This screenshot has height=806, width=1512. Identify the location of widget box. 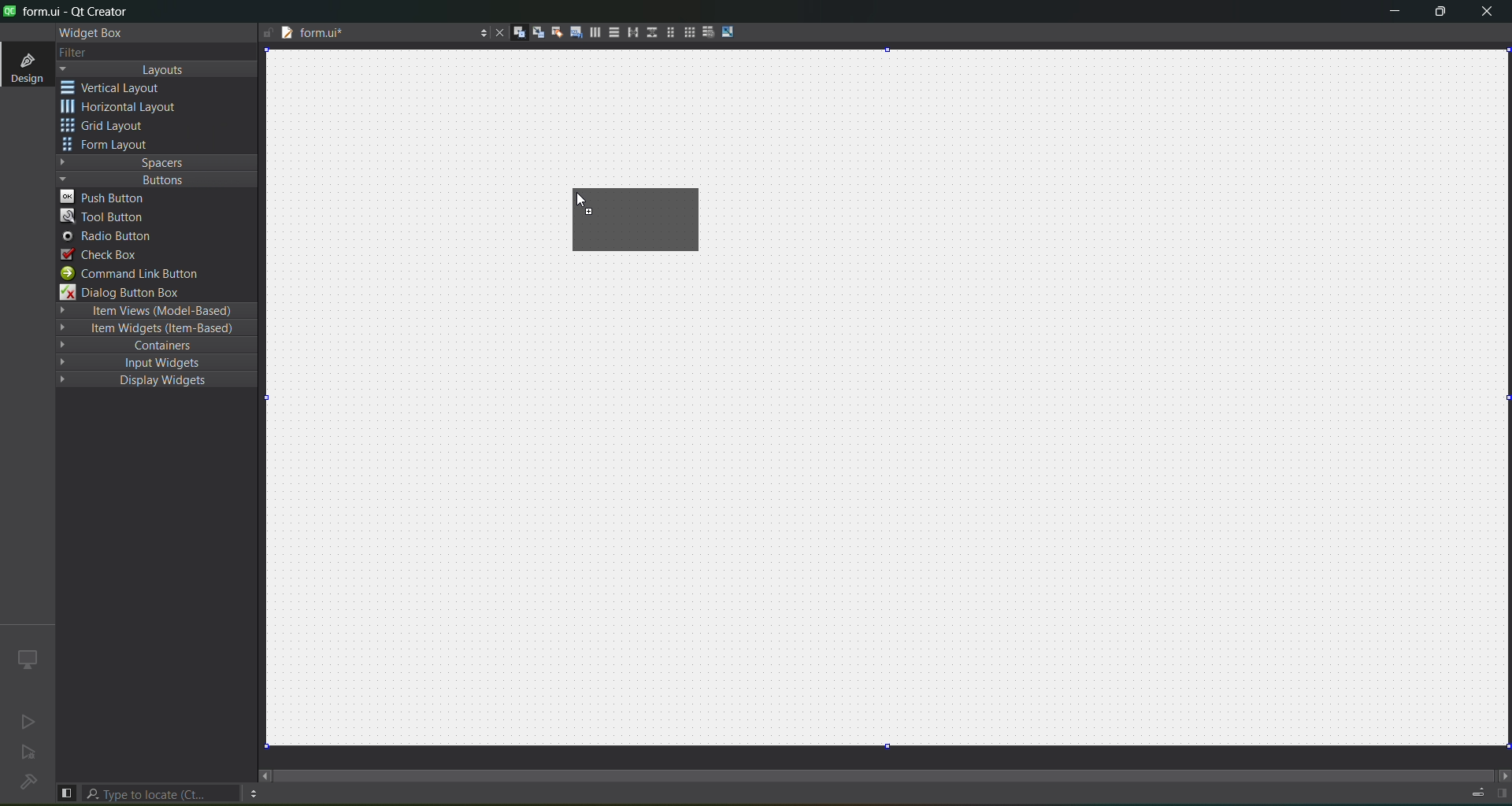
(88, 32).